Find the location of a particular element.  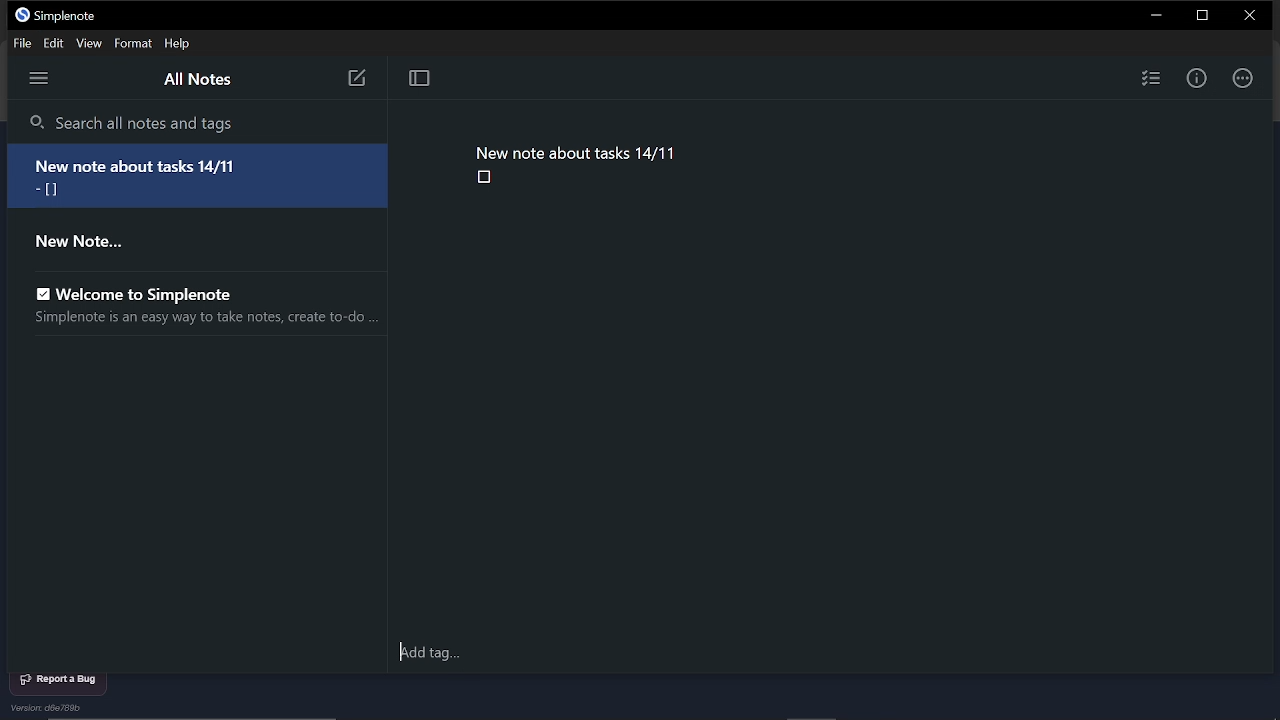

new note is located at coordinates (355, 80).